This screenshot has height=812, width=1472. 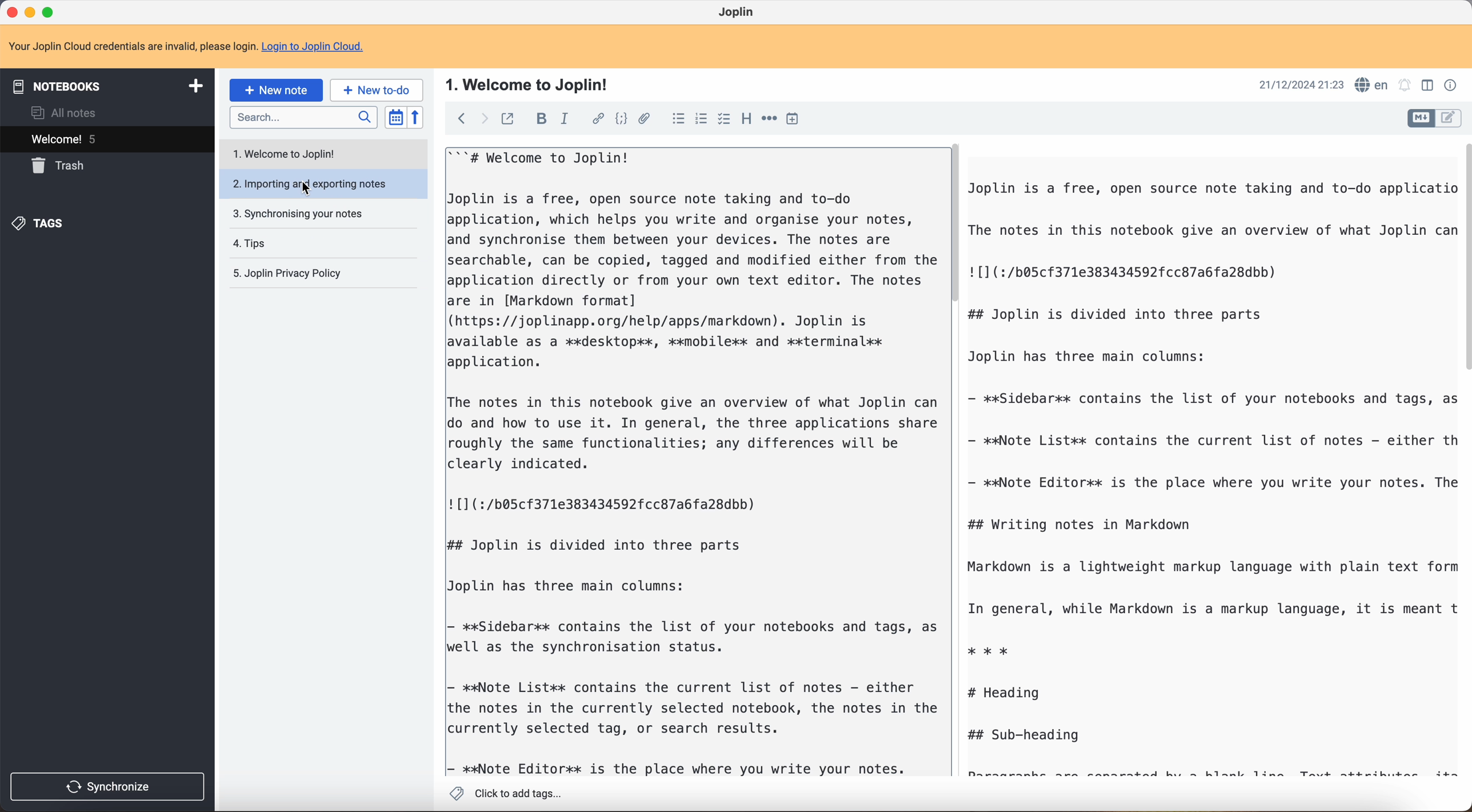 I want to click on code, so click(x=620, y=120).